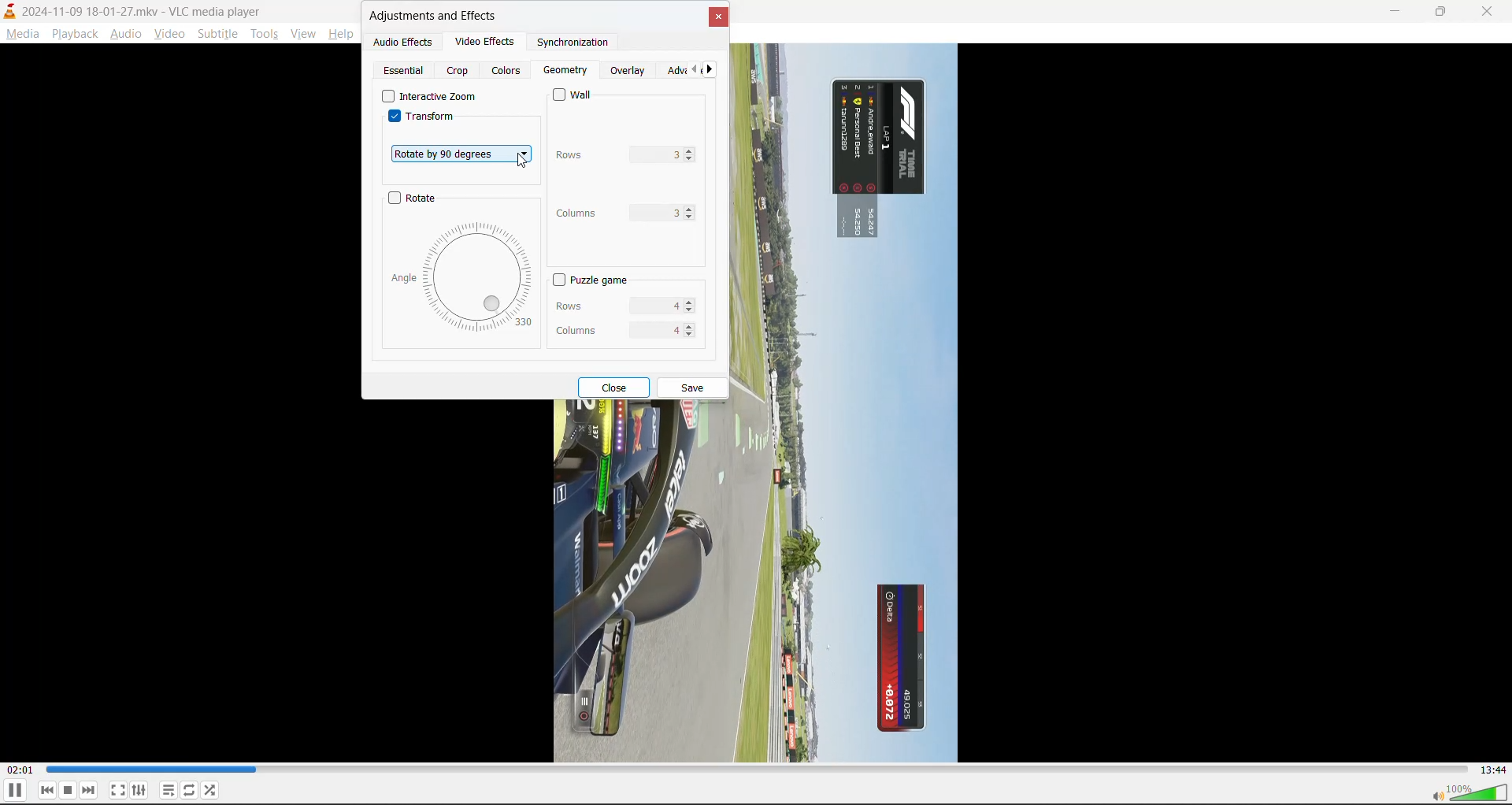 The width and height of the screenshot is (1512, 805). What do you see at coordinates (694, 389) in the screenshot?
I see `save` at bounding box center [694, 389].